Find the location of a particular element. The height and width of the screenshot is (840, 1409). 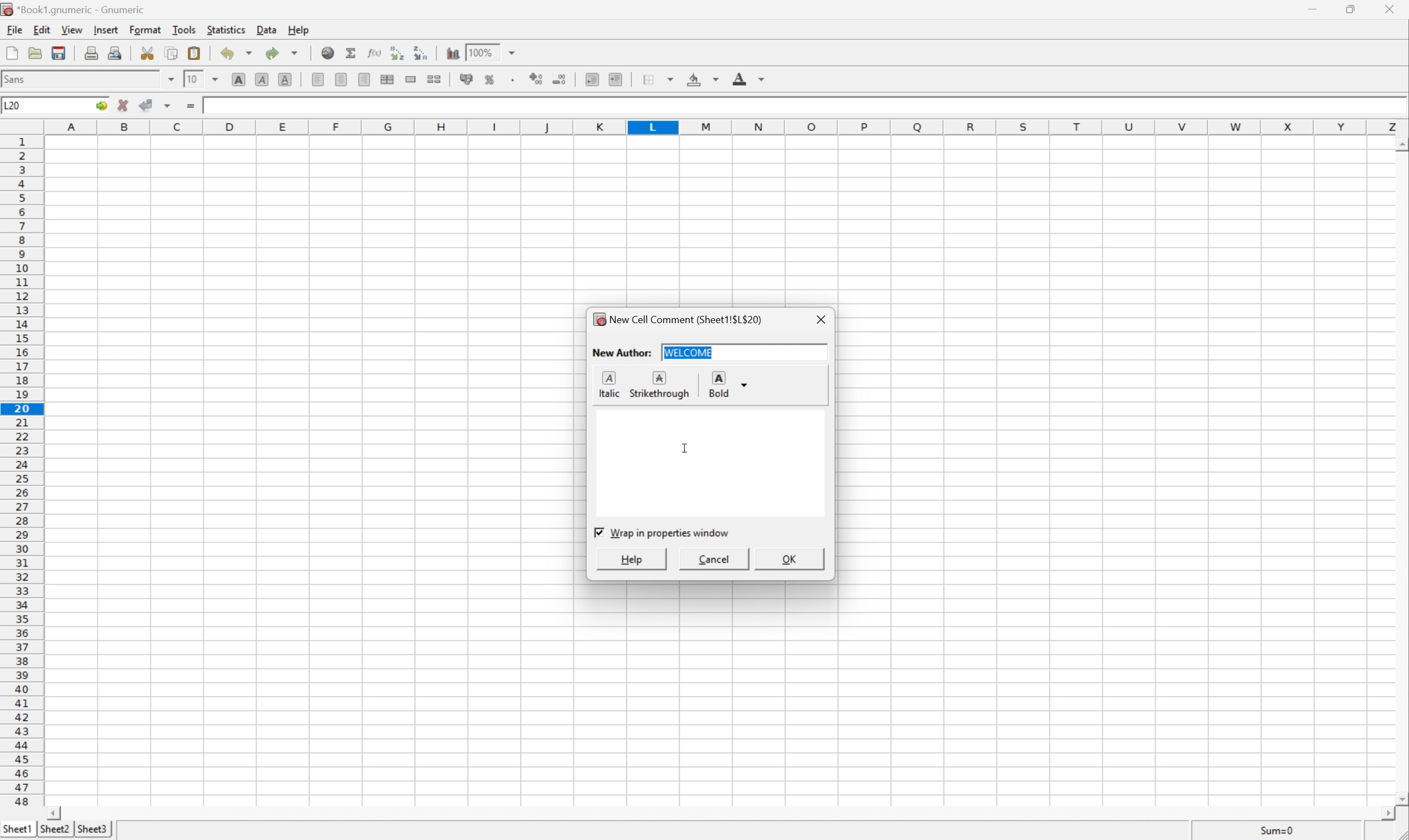

Checkbox is located at coordinates (597, 531).